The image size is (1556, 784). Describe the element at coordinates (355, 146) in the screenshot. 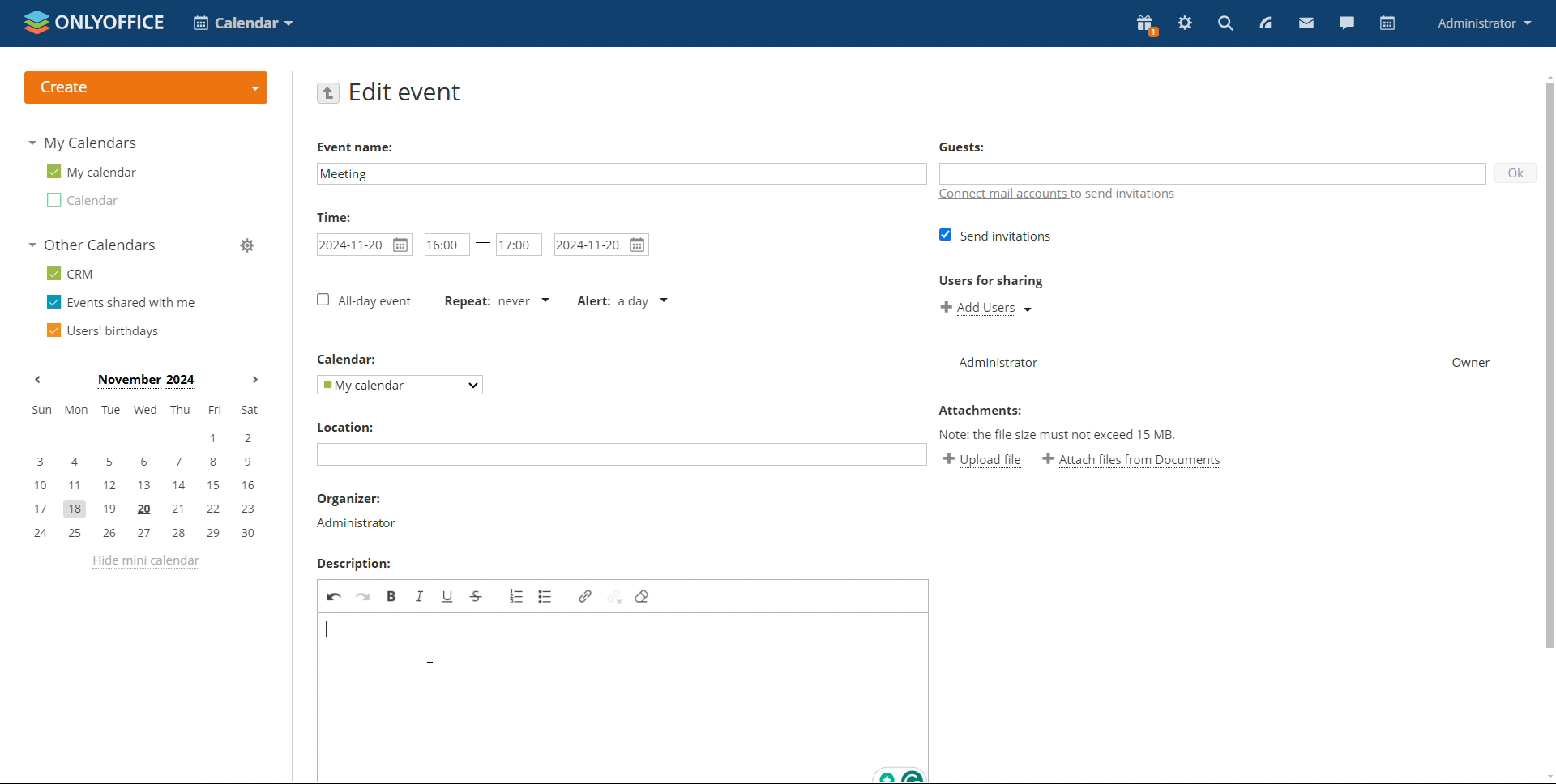

I see `event name` at that location.